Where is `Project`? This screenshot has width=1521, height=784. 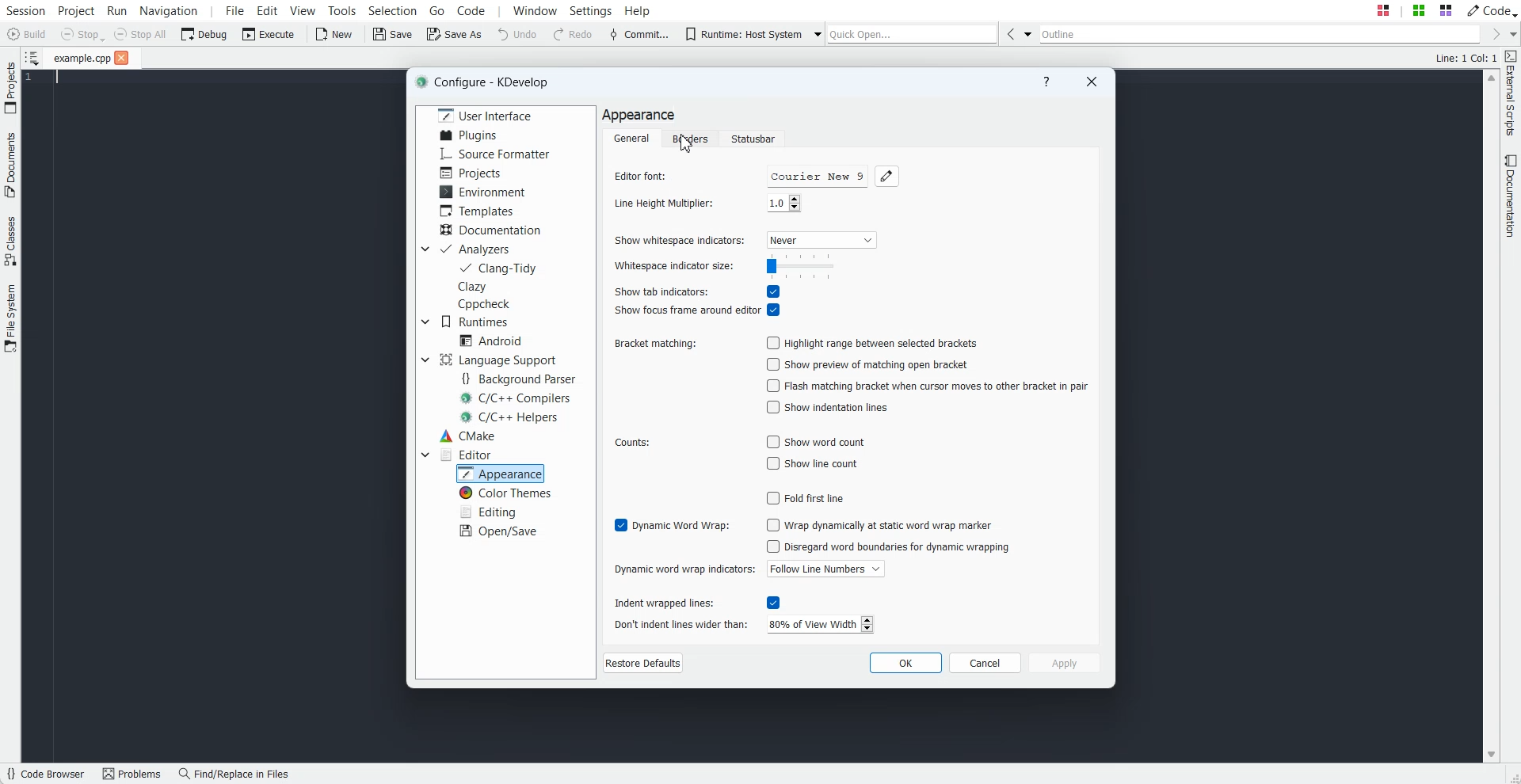 Project is located at coordinates (75, 10).